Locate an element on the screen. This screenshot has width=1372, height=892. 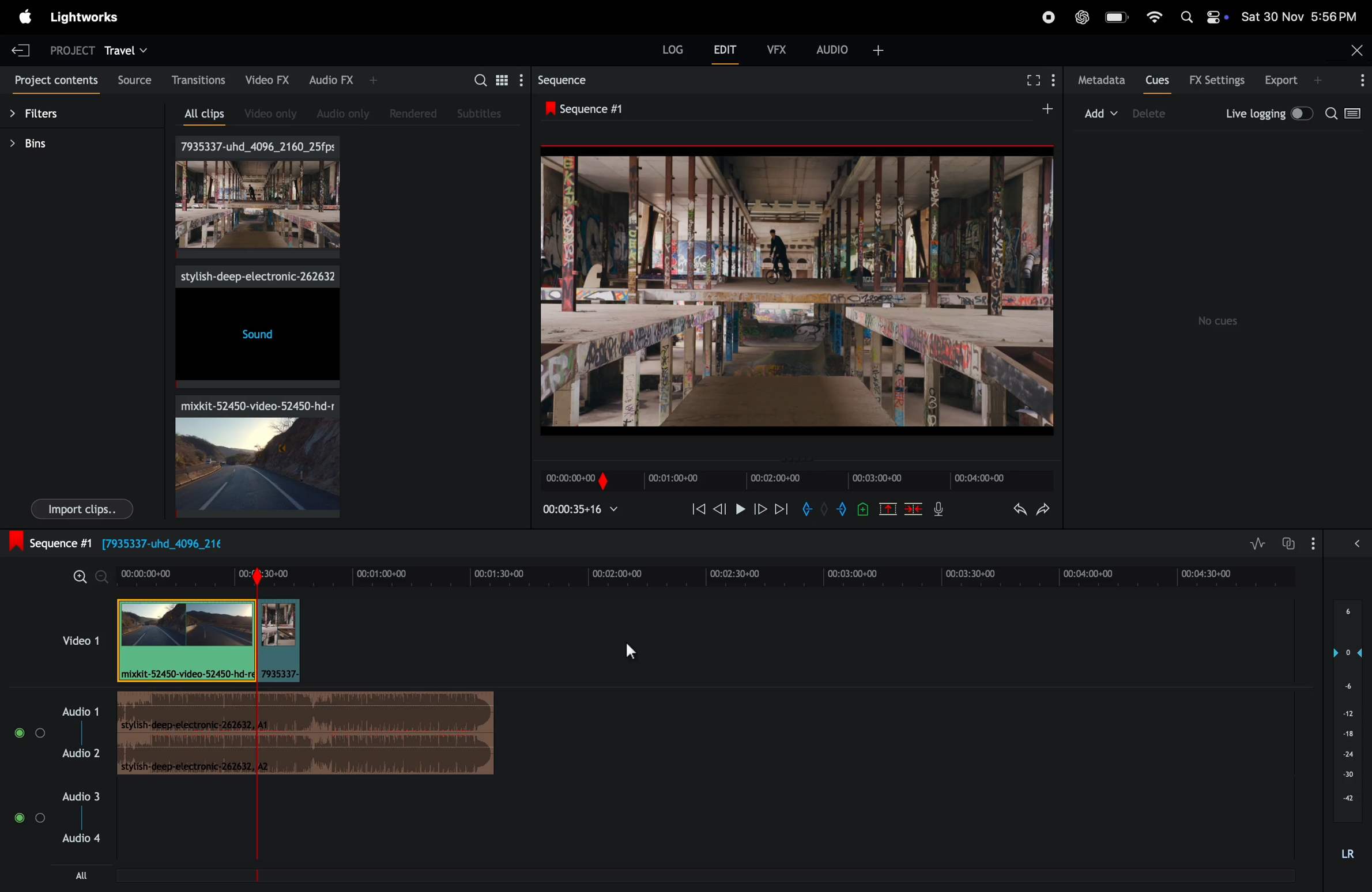
time frame is located at coordinates (706, 572).